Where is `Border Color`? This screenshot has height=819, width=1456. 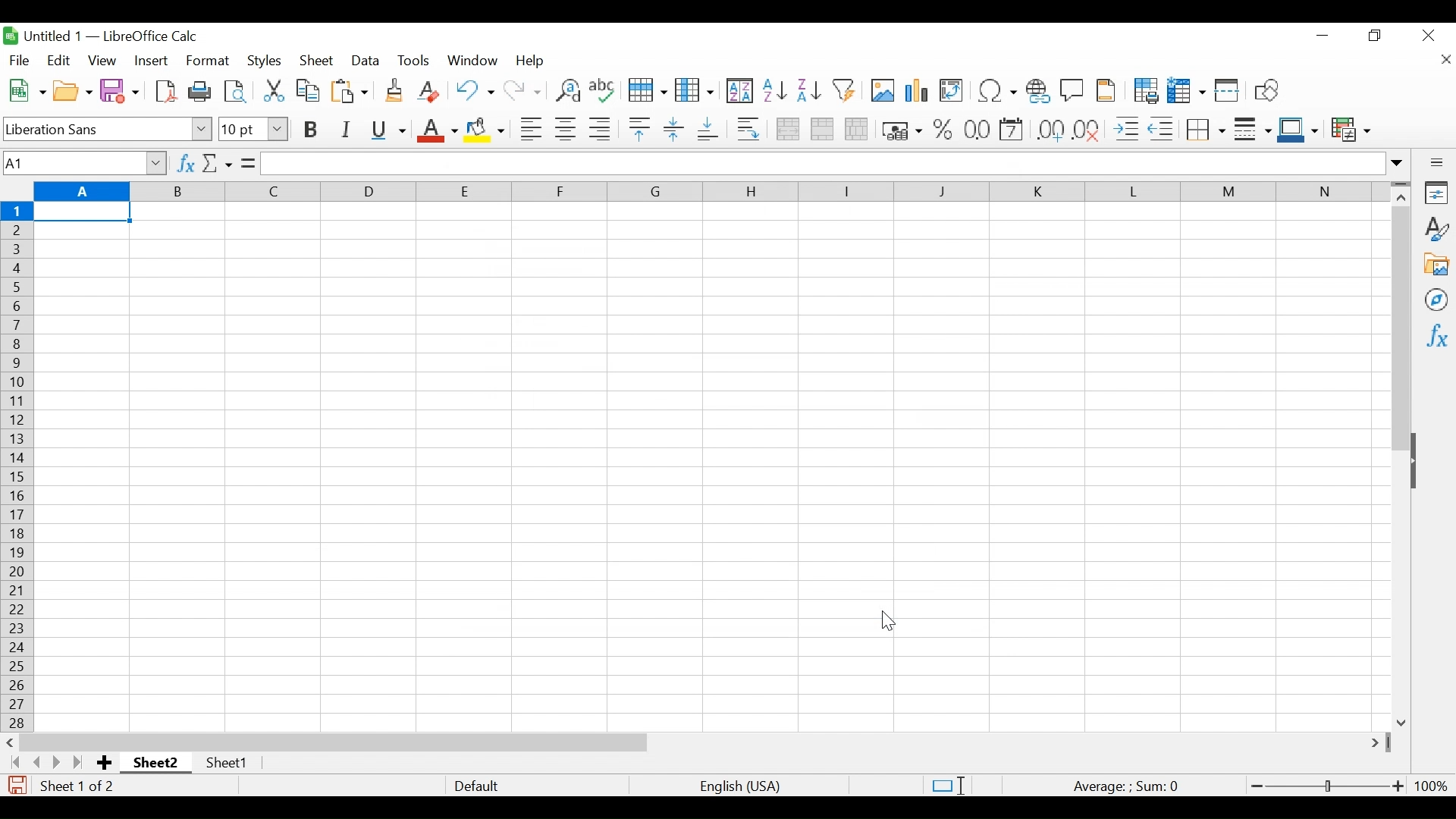
Border Color is located at coordinates (1298, 130).